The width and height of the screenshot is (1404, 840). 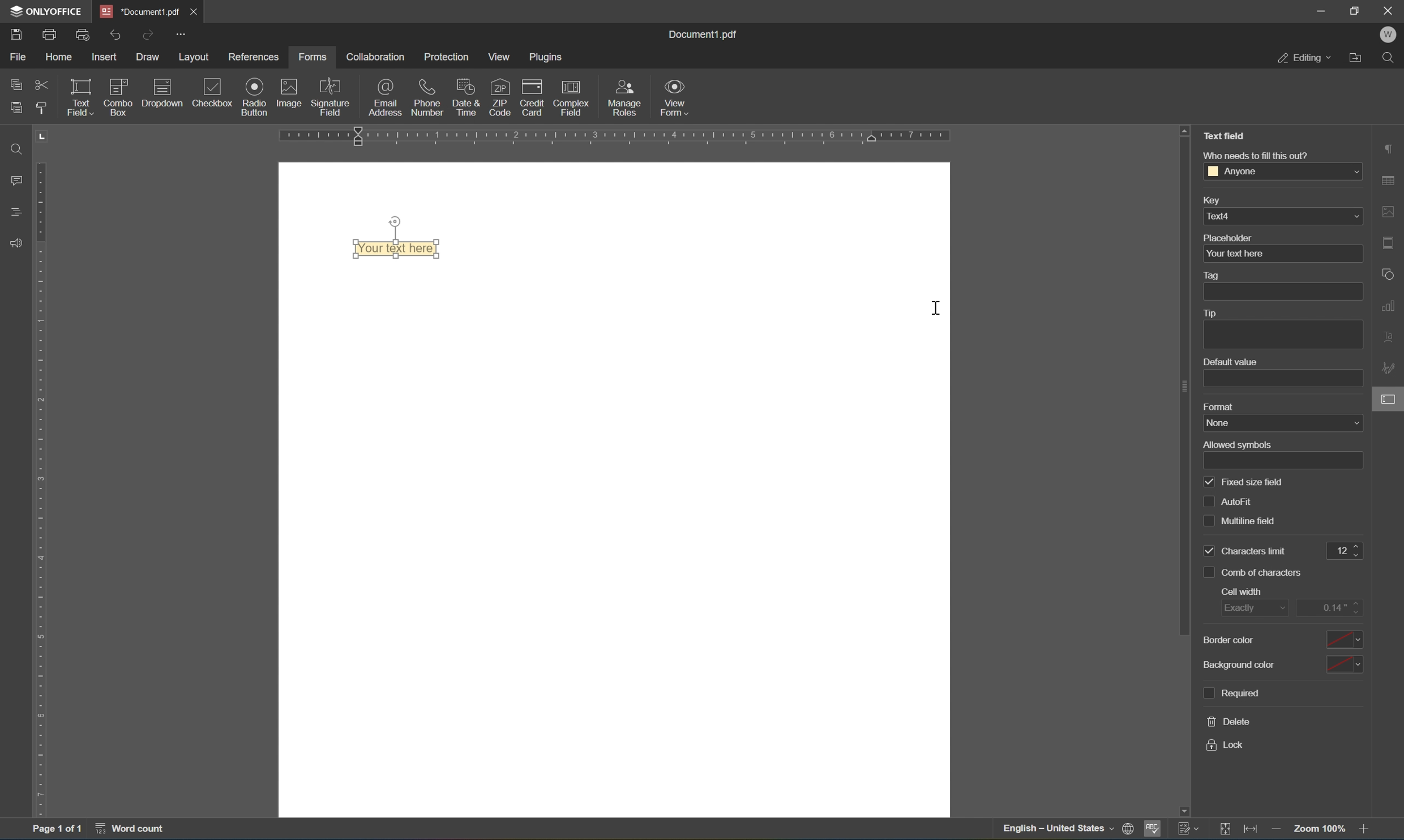 I want to click on cut, so click(x=41, y=83).